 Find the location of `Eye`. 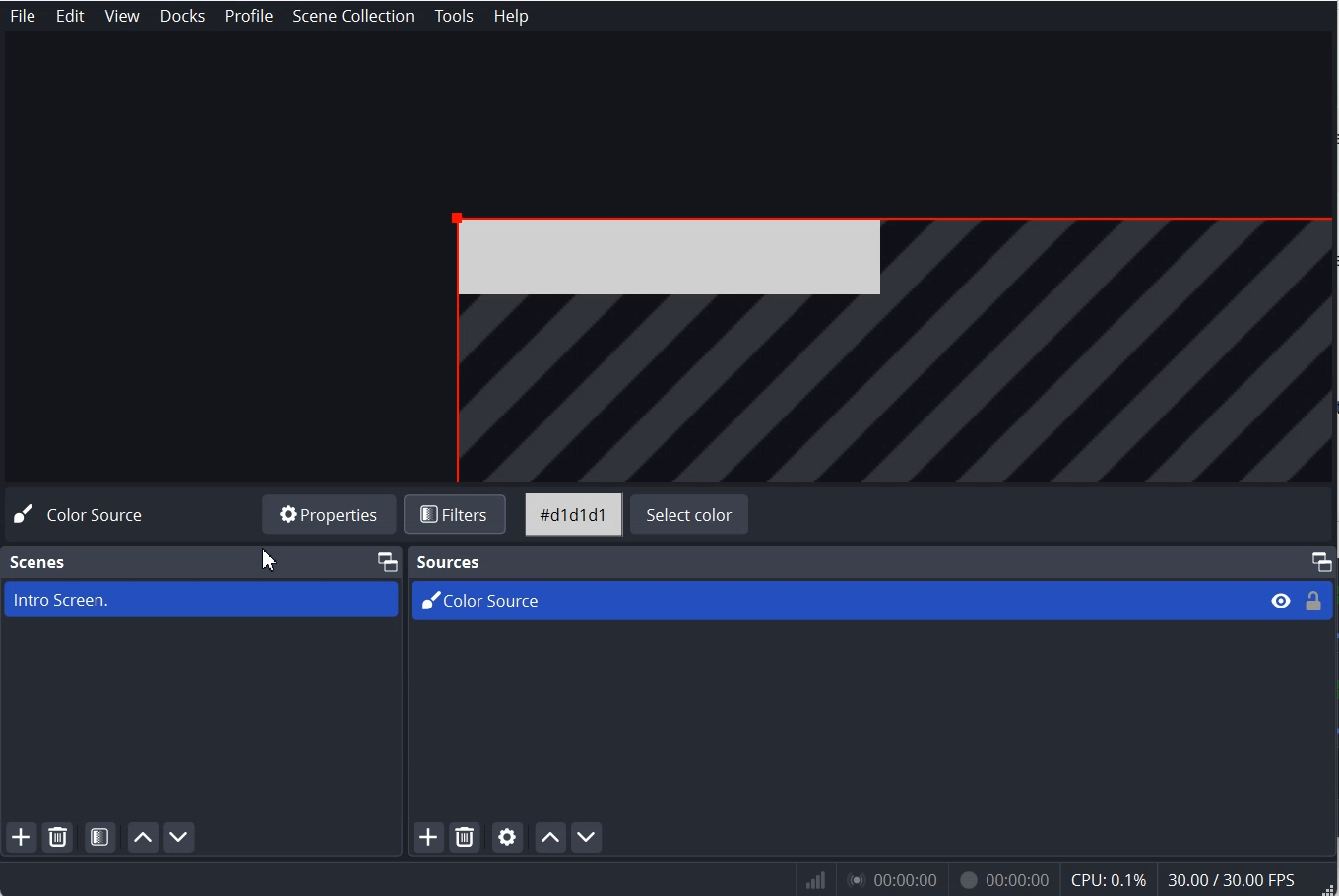

Eye is located at coordinates (1281, 601).